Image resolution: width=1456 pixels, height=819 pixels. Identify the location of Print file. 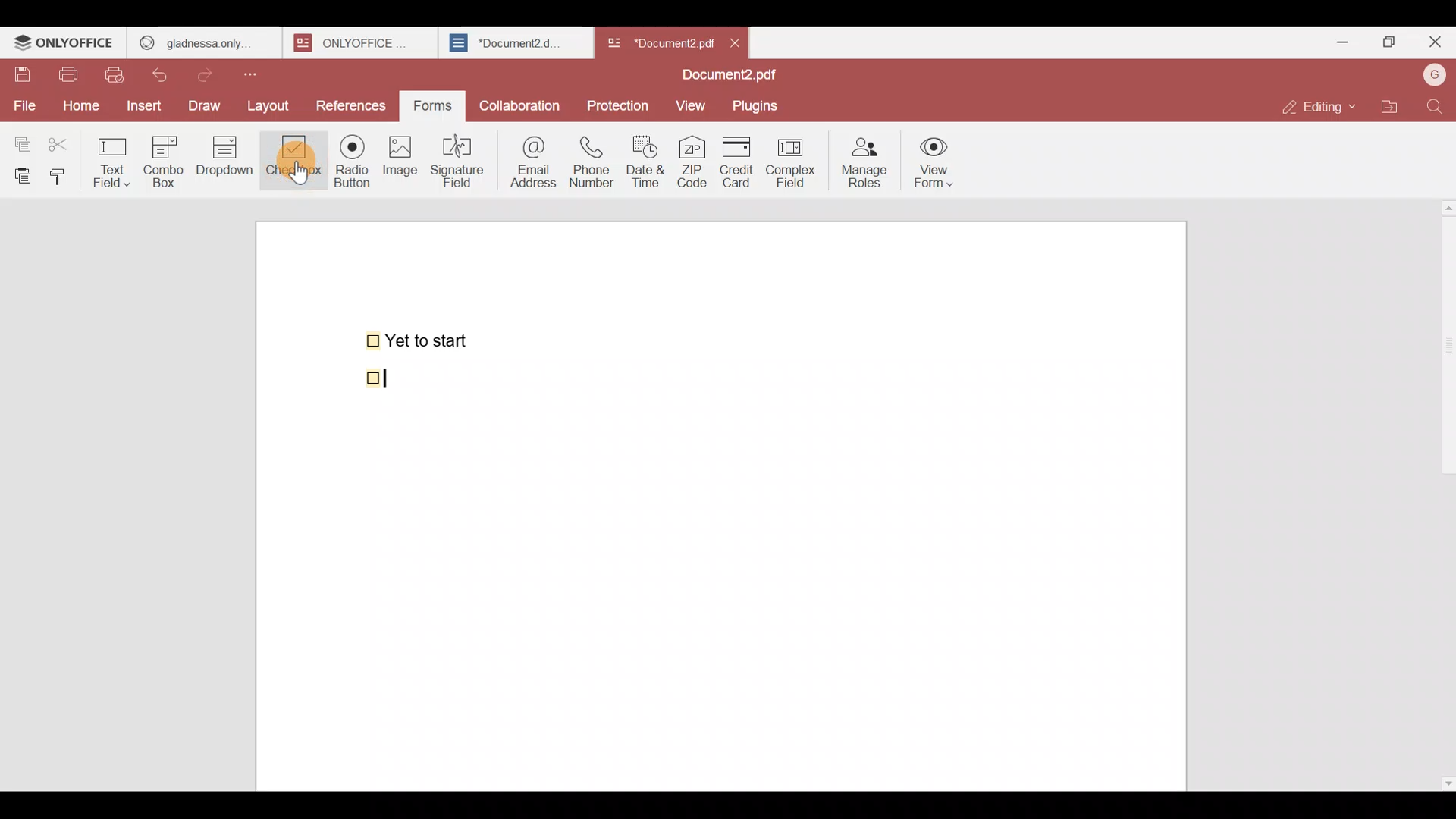
(71, 76).